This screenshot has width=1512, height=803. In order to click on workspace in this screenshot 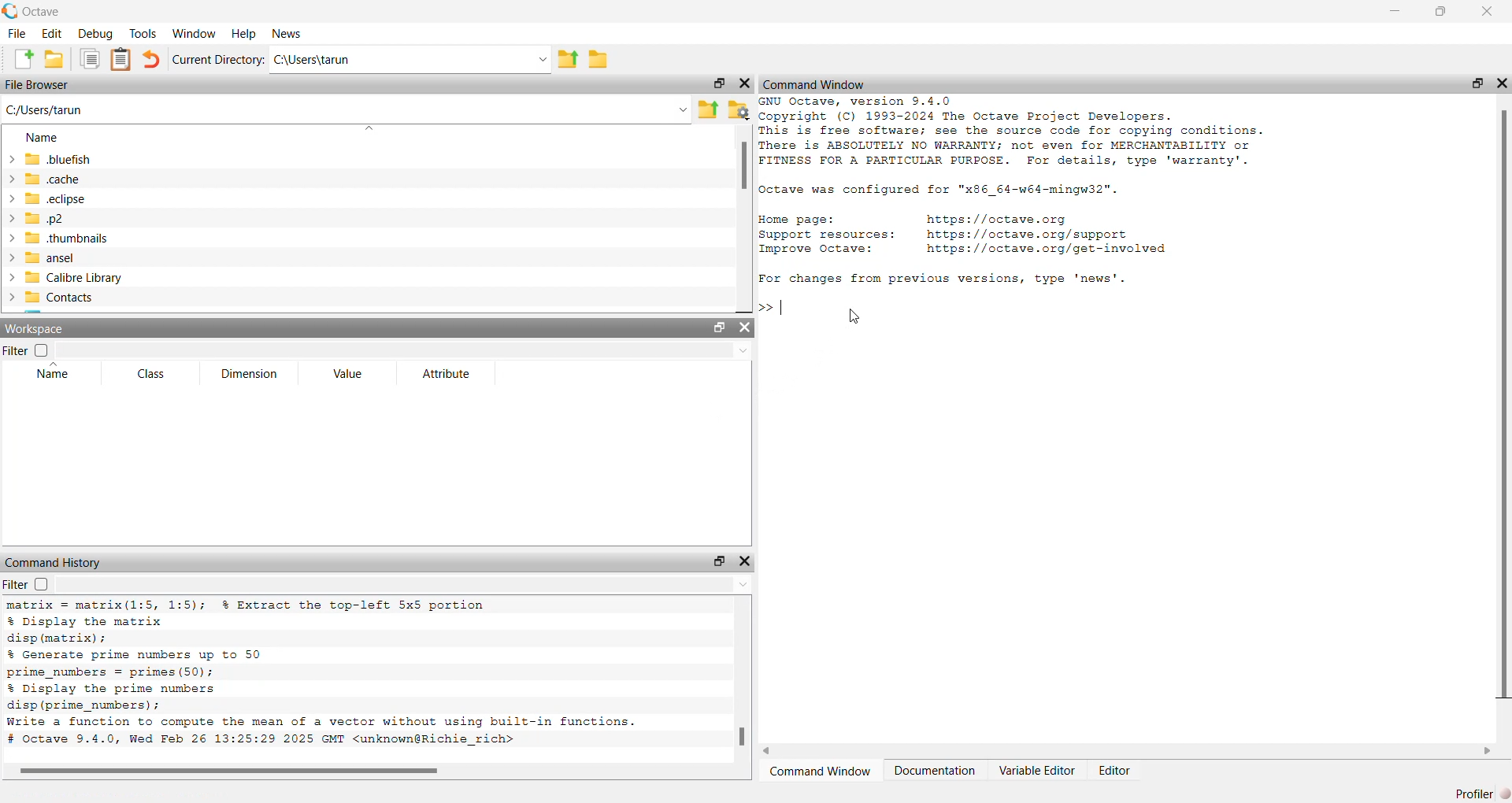, I will do `click(35, 328)`.